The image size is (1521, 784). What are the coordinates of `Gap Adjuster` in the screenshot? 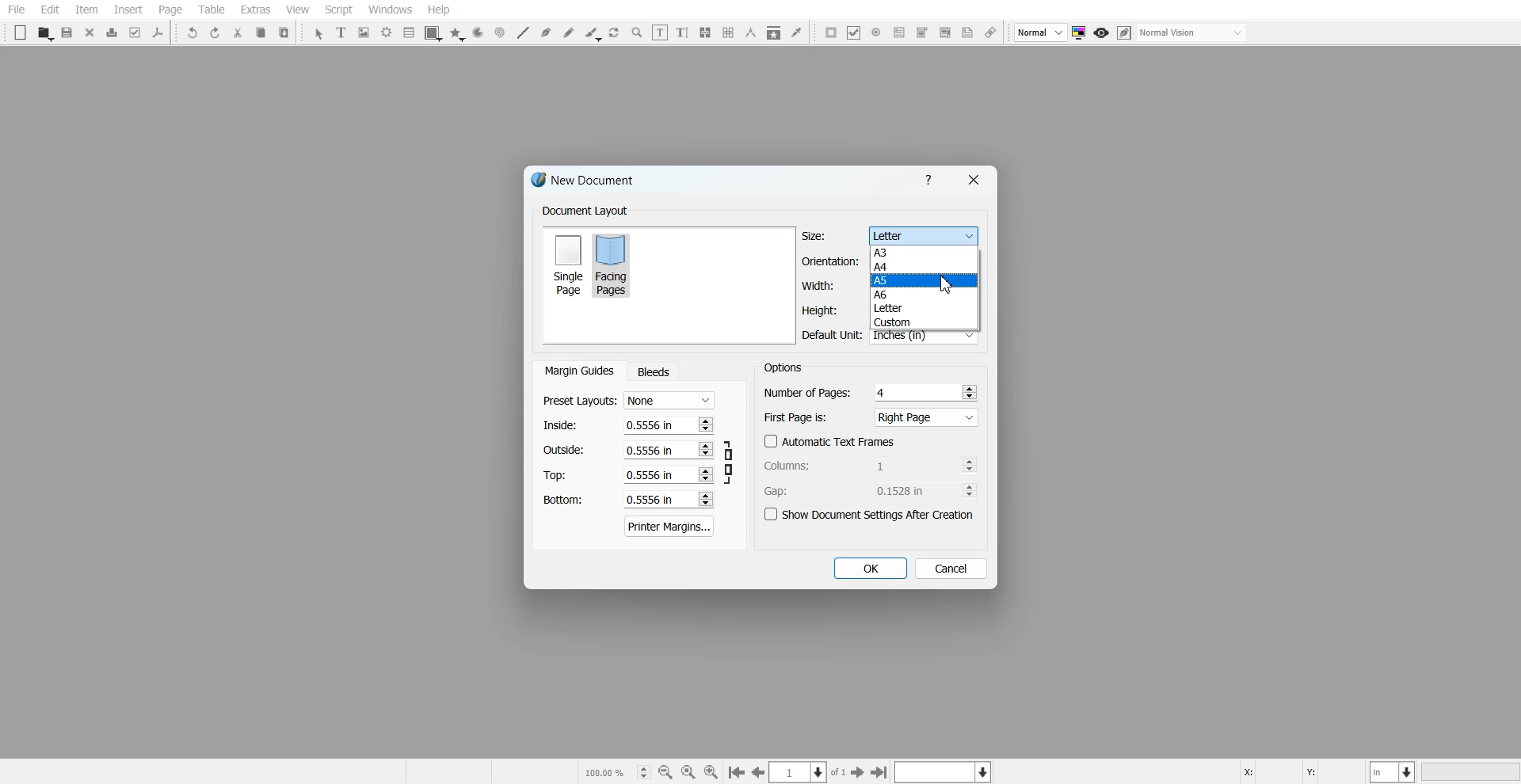 It's located at (871, 490).